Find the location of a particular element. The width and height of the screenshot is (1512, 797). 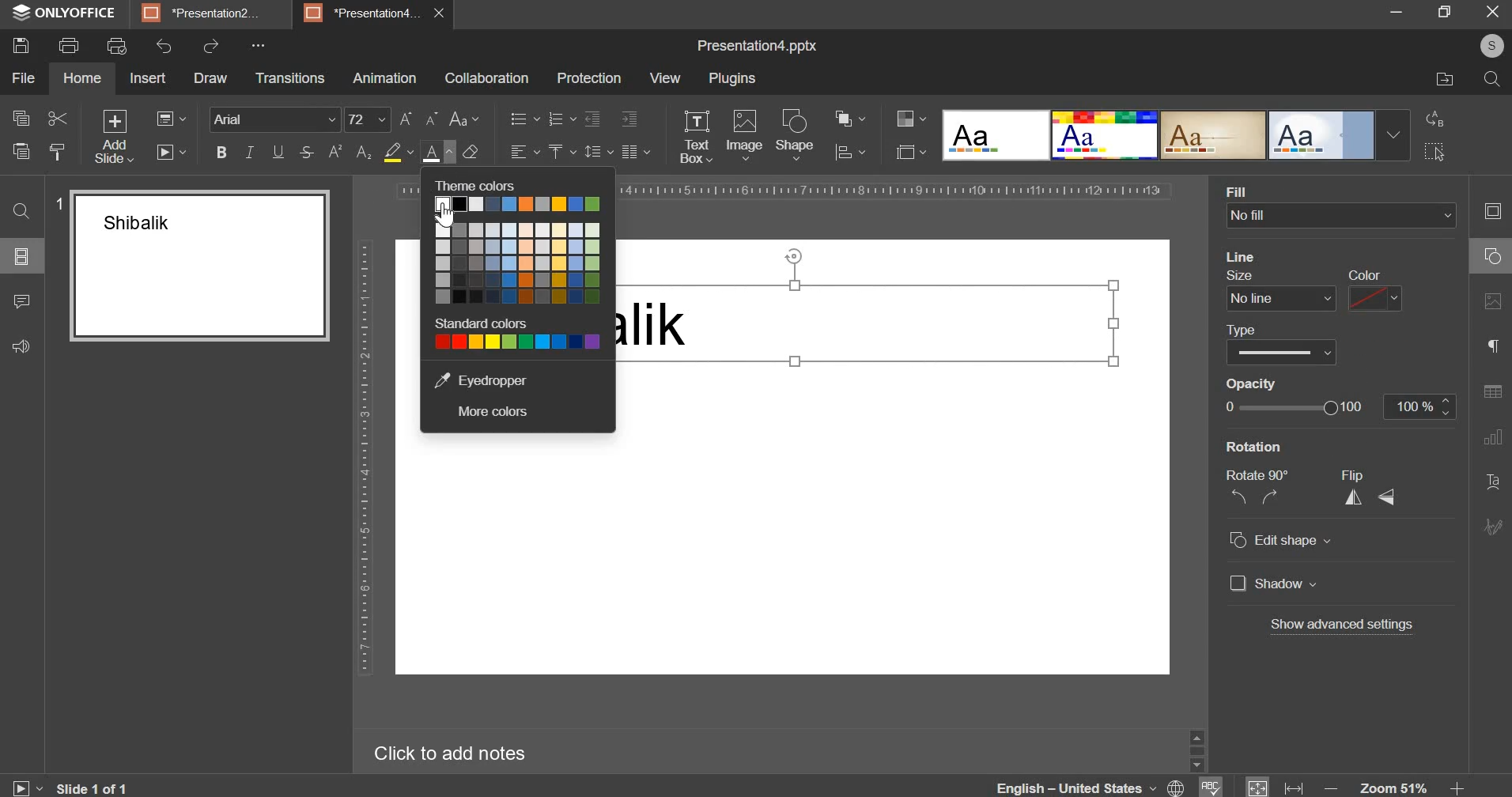

Slide 1 of 1 is located at coordinates (99, 786).